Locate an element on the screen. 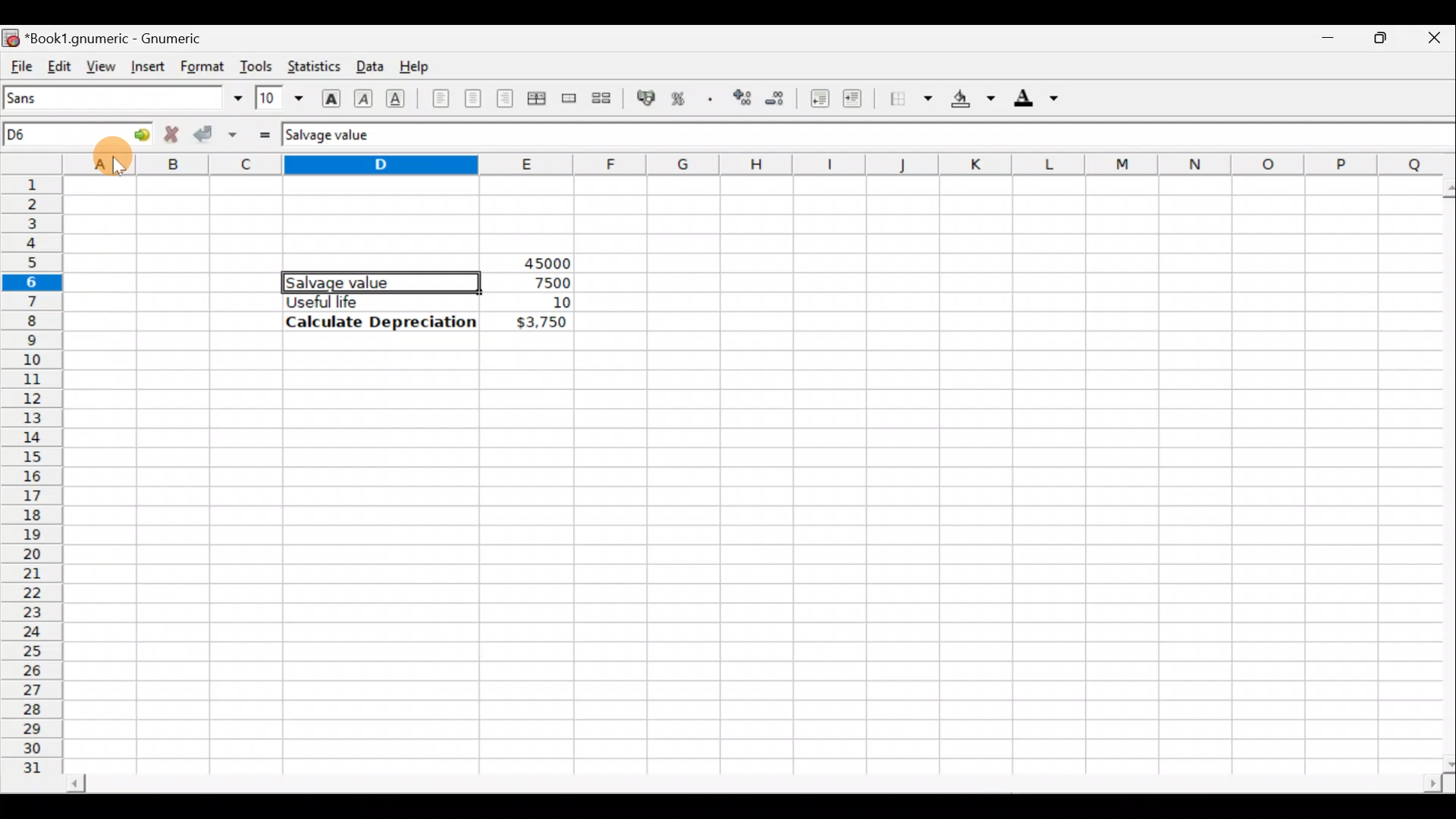 The width and height of the screenshot is (1456, 819). View is located at coordinates (96, 65).